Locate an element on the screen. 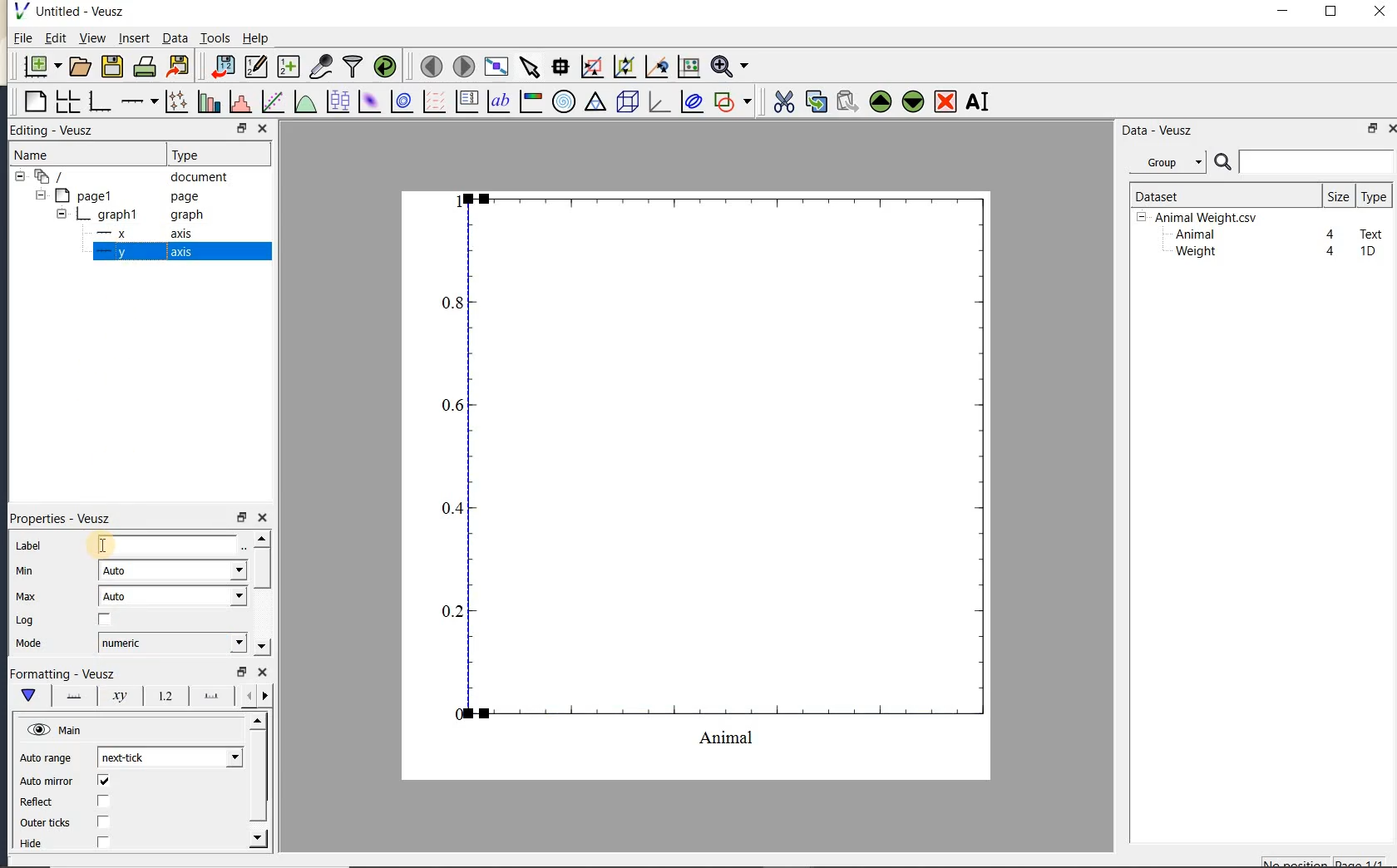 The image size is (1397, 868). Max is located at coordinates (26, 596).